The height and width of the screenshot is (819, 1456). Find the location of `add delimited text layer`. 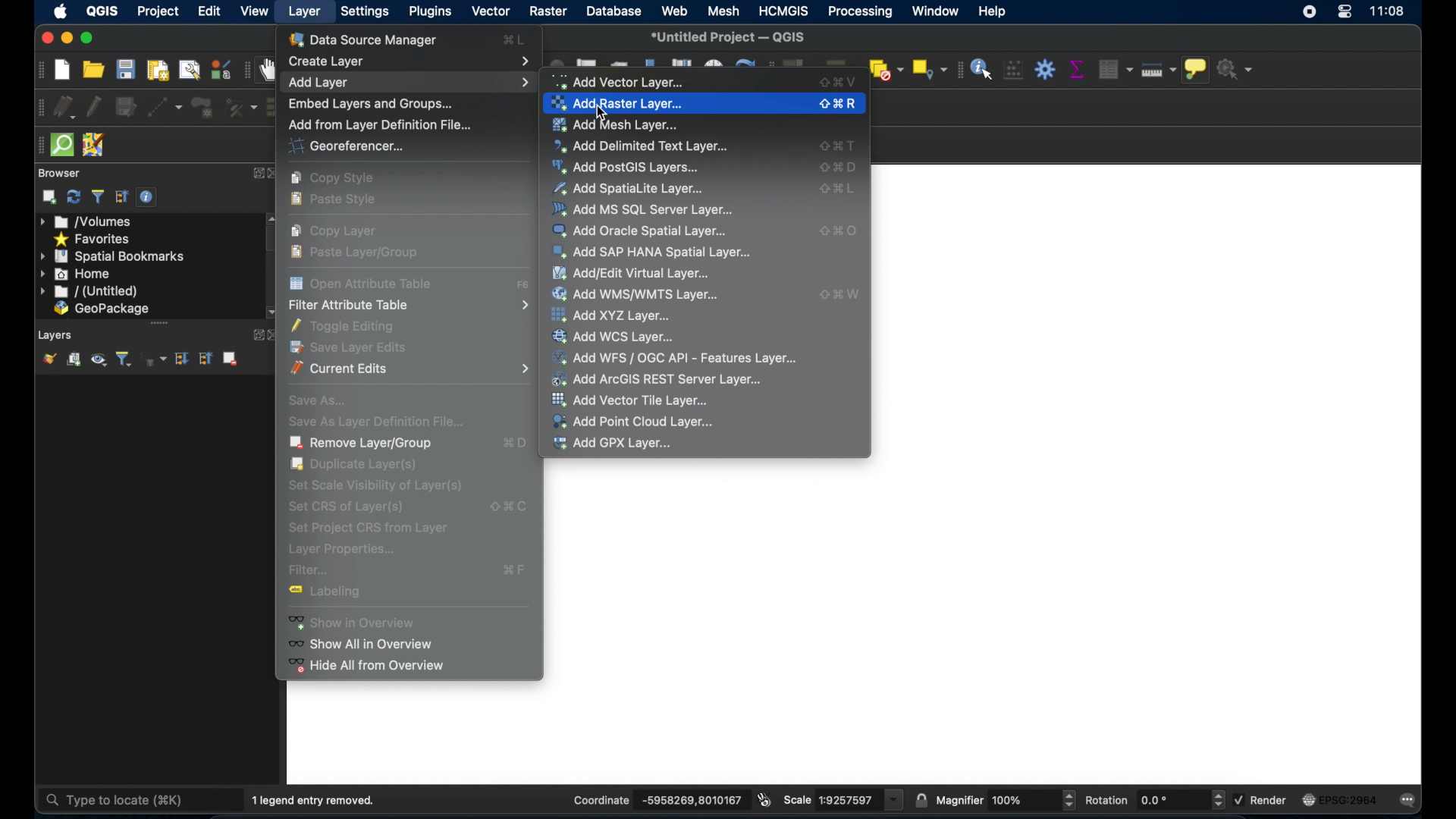

add delimited text layer is located at coordinates (839, 146).